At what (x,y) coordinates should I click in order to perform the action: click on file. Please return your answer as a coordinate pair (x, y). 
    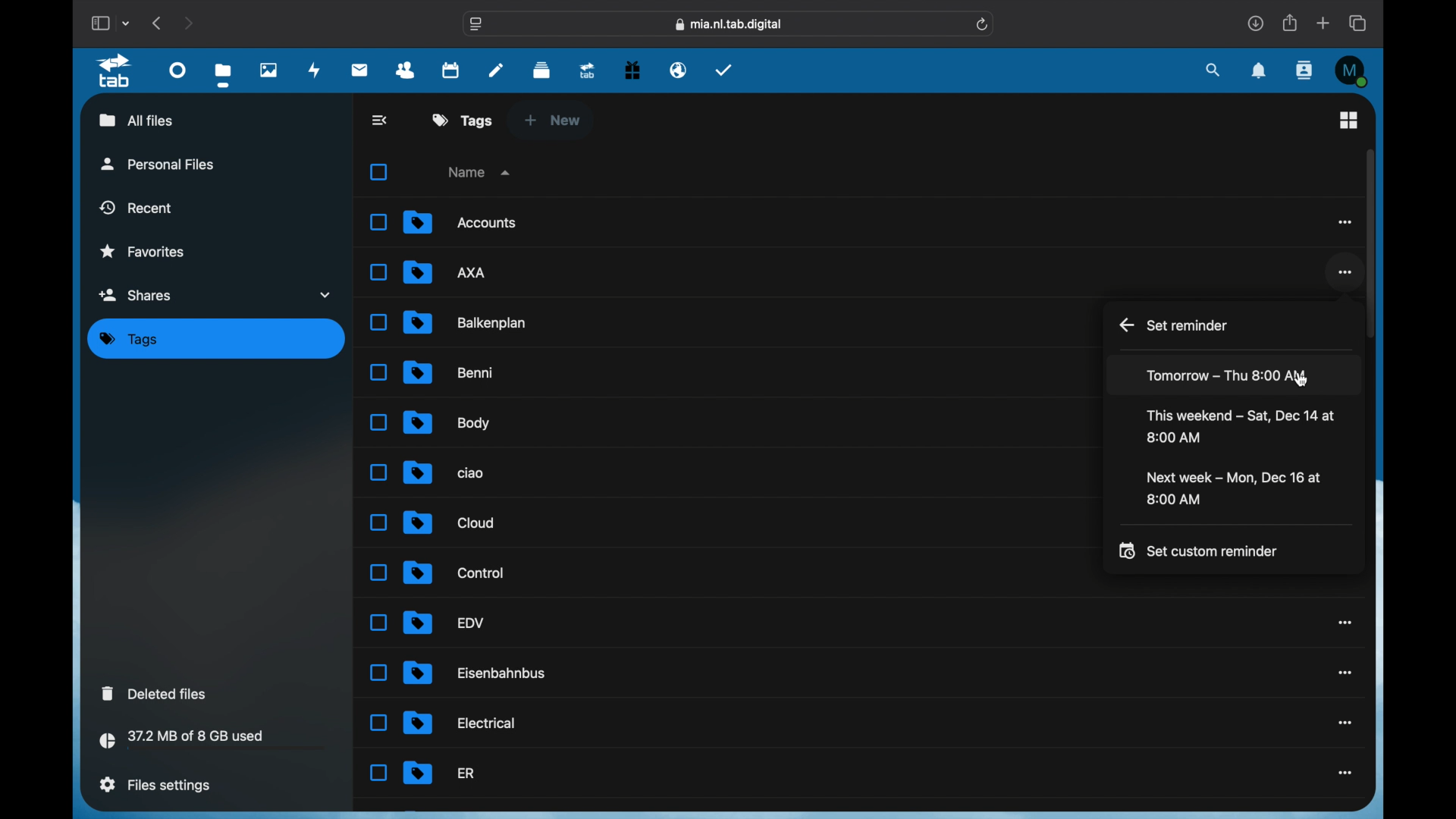
    Looking at the image, I should click on (460, 723).